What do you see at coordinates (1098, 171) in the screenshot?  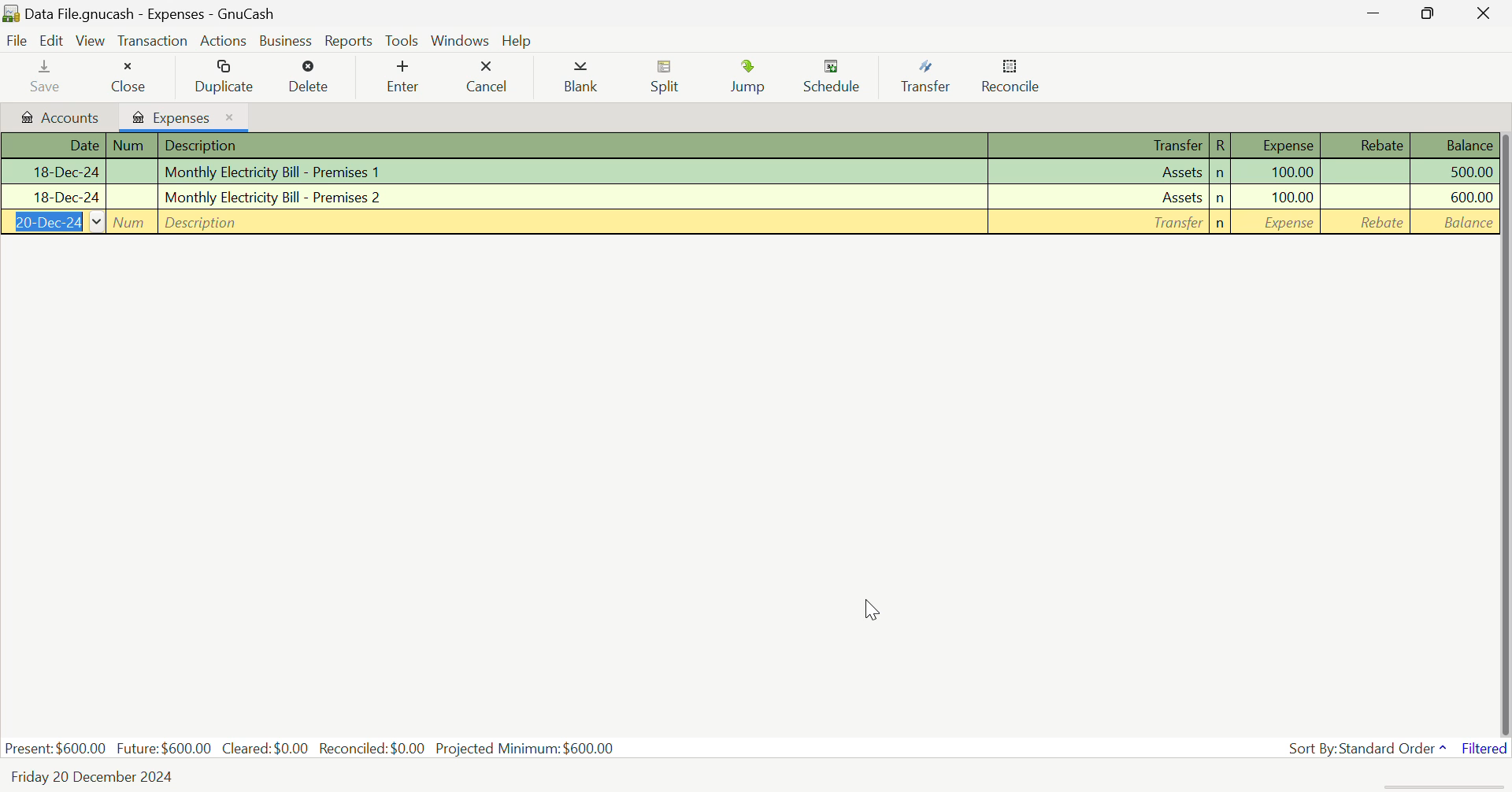 I see `Assets` at bounding box center [1098, 171].